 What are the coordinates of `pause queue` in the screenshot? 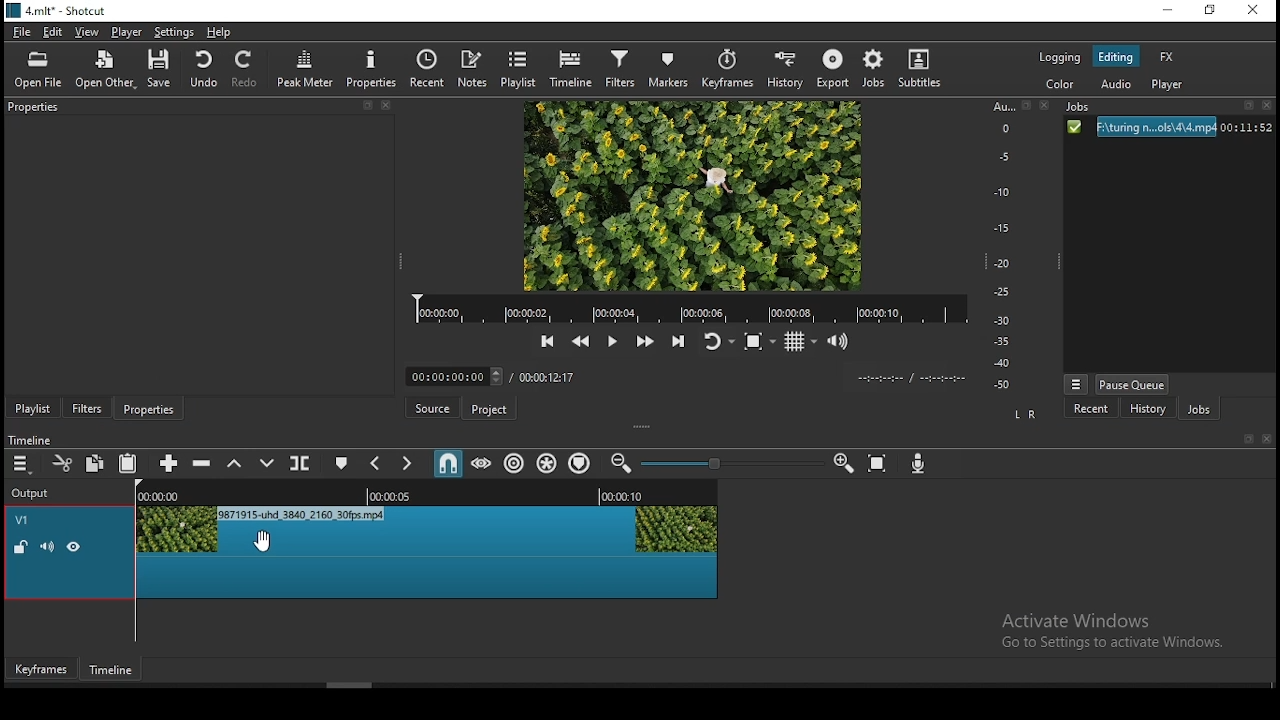 It's located at (1134, 384).